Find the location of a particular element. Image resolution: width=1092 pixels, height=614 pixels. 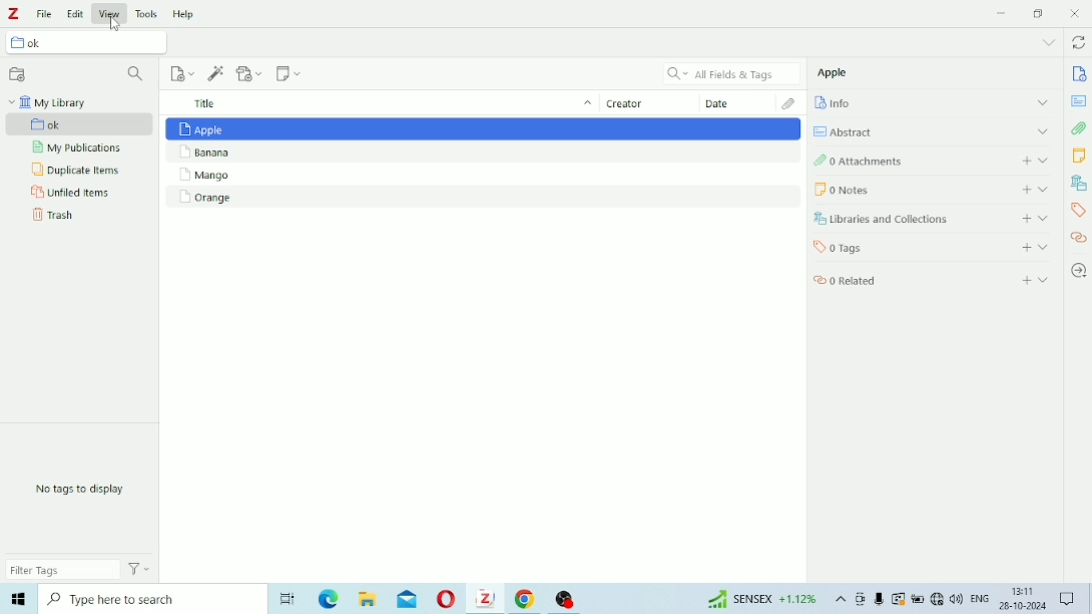

Search All Fields & Tags is located at coordinates (727, 72).